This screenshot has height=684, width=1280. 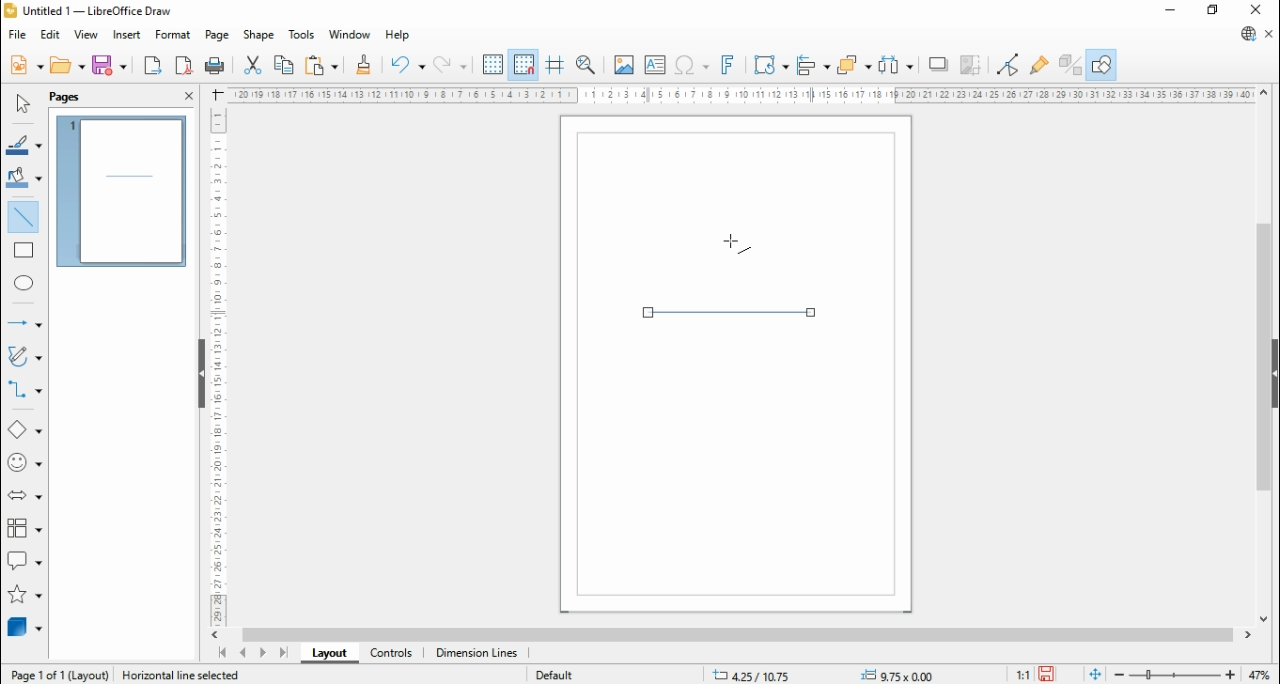 What do you see at coordinates (21, 104) in the screenshot?
I see `select` at bounding box center [21, 104].